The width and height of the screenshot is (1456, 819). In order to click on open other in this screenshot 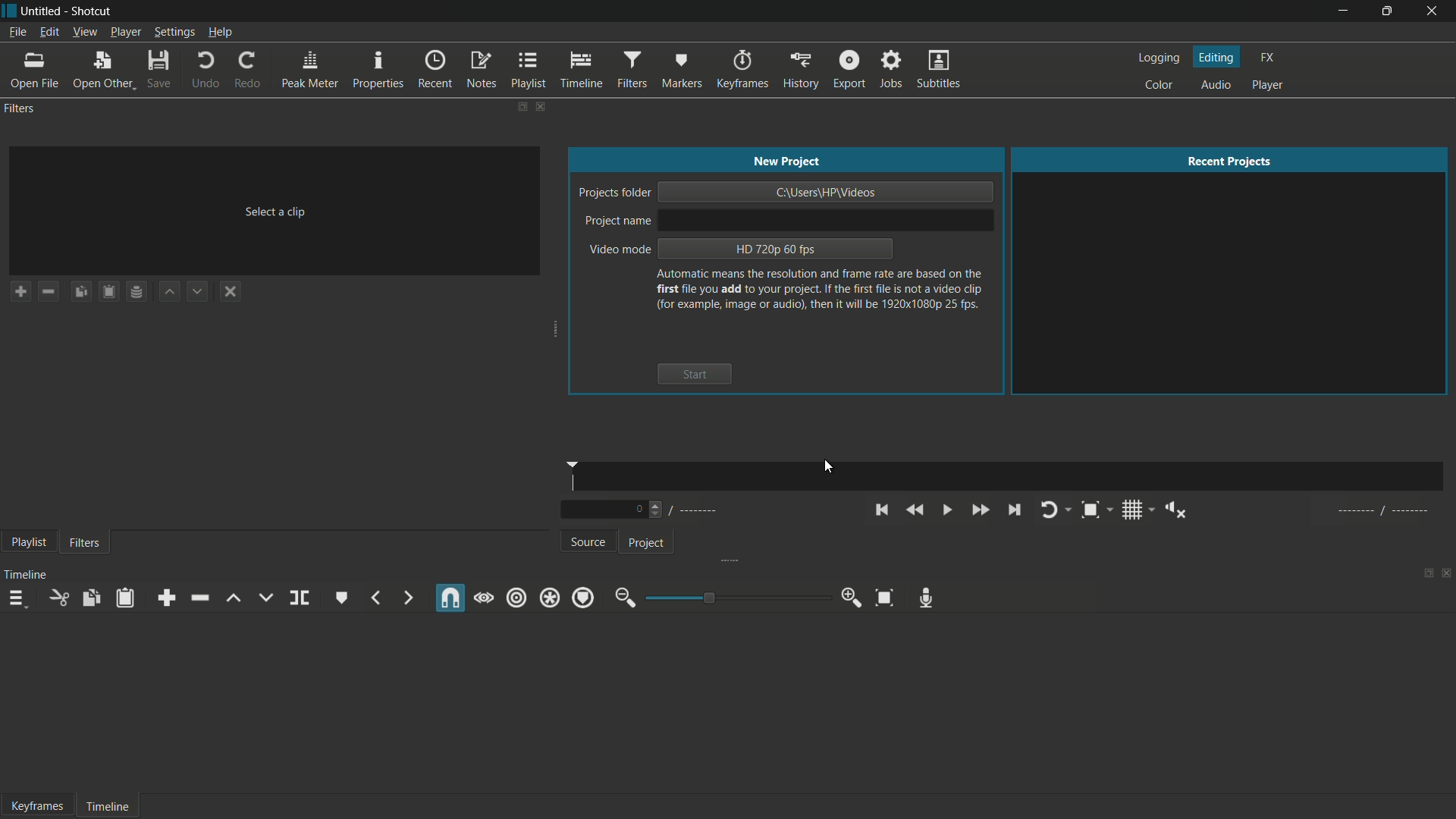, I will do `click(107, 71)`.